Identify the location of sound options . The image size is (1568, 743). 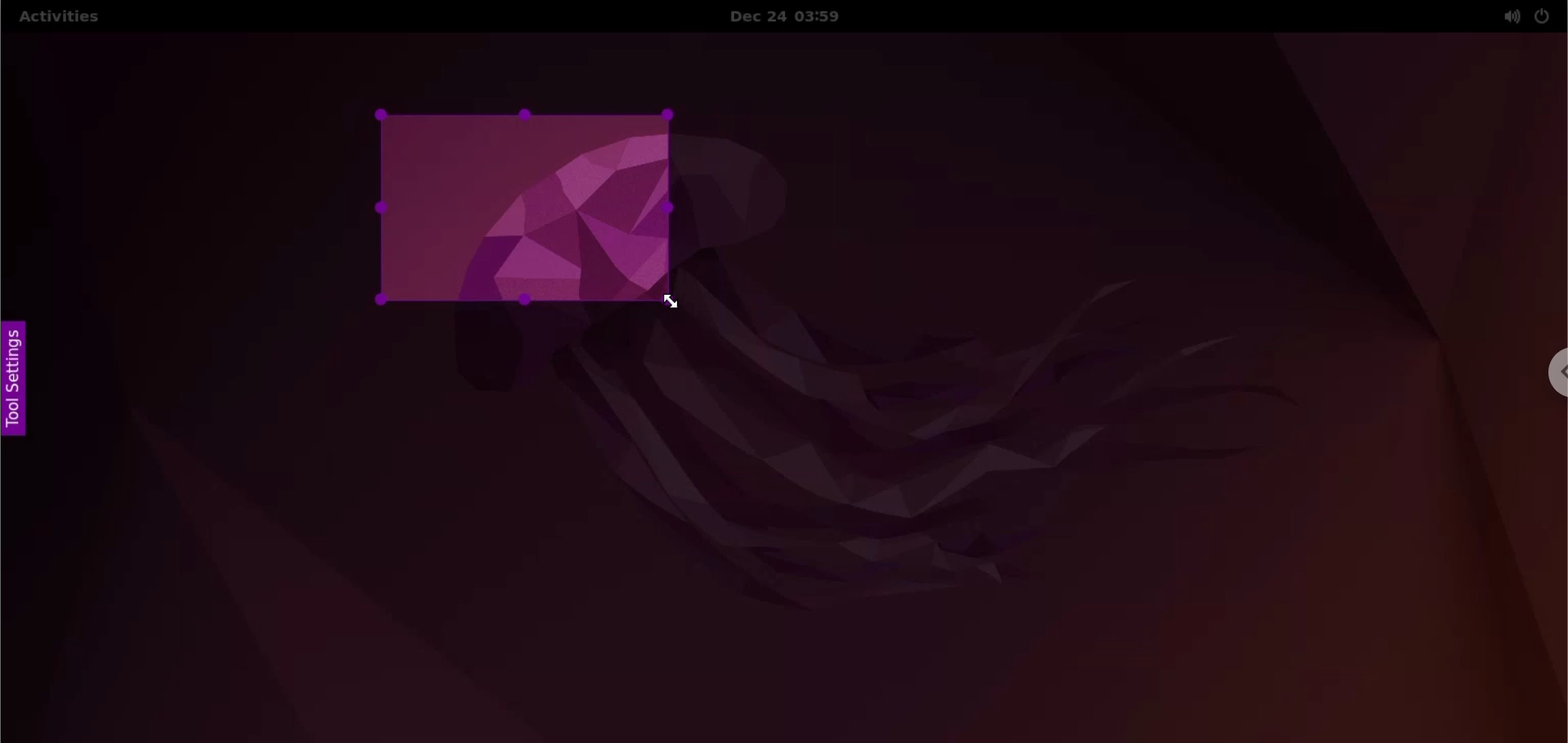
(1508, 17).